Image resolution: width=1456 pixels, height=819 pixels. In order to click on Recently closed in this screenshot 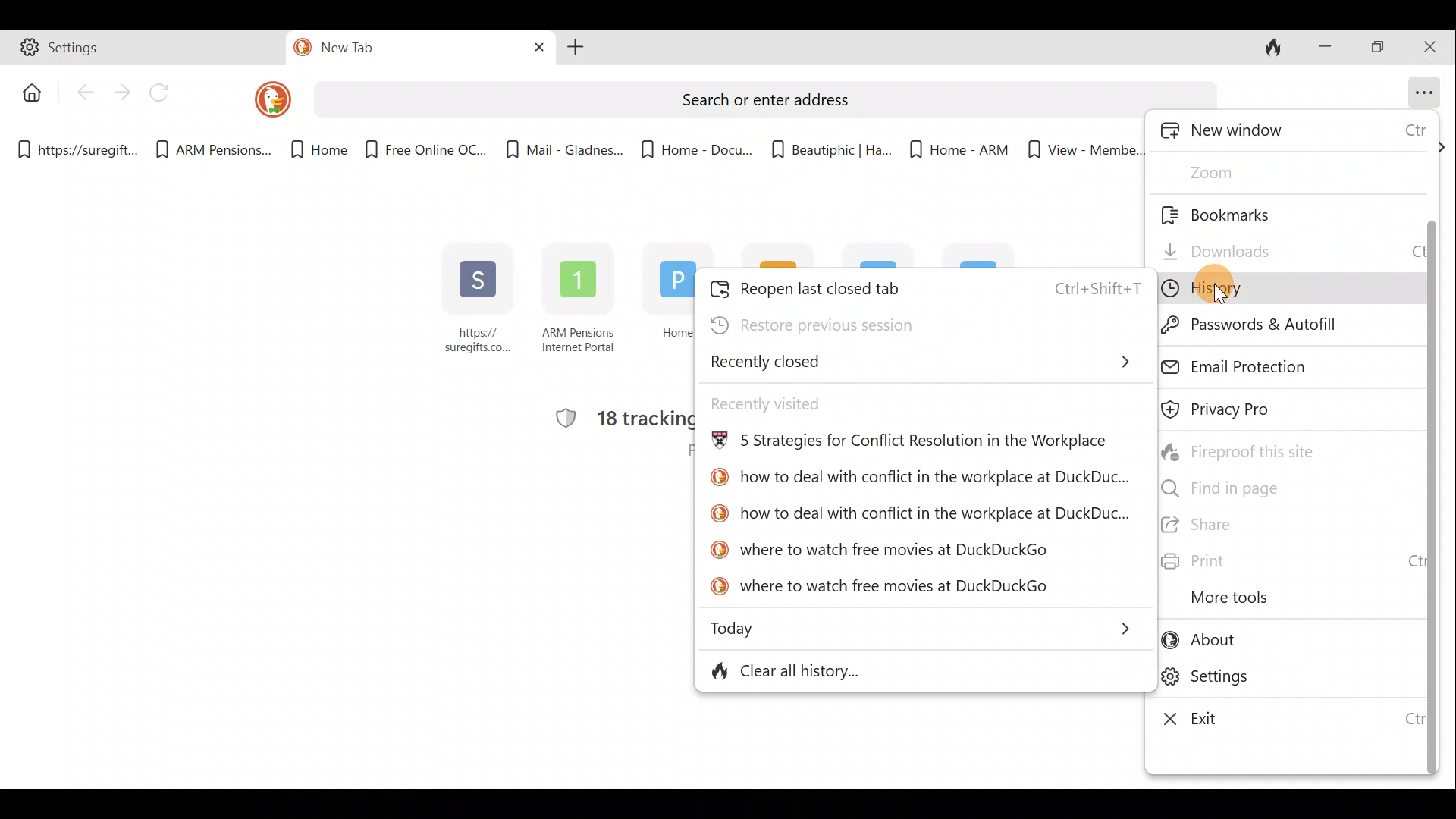, I will do `click(924, 362)`.